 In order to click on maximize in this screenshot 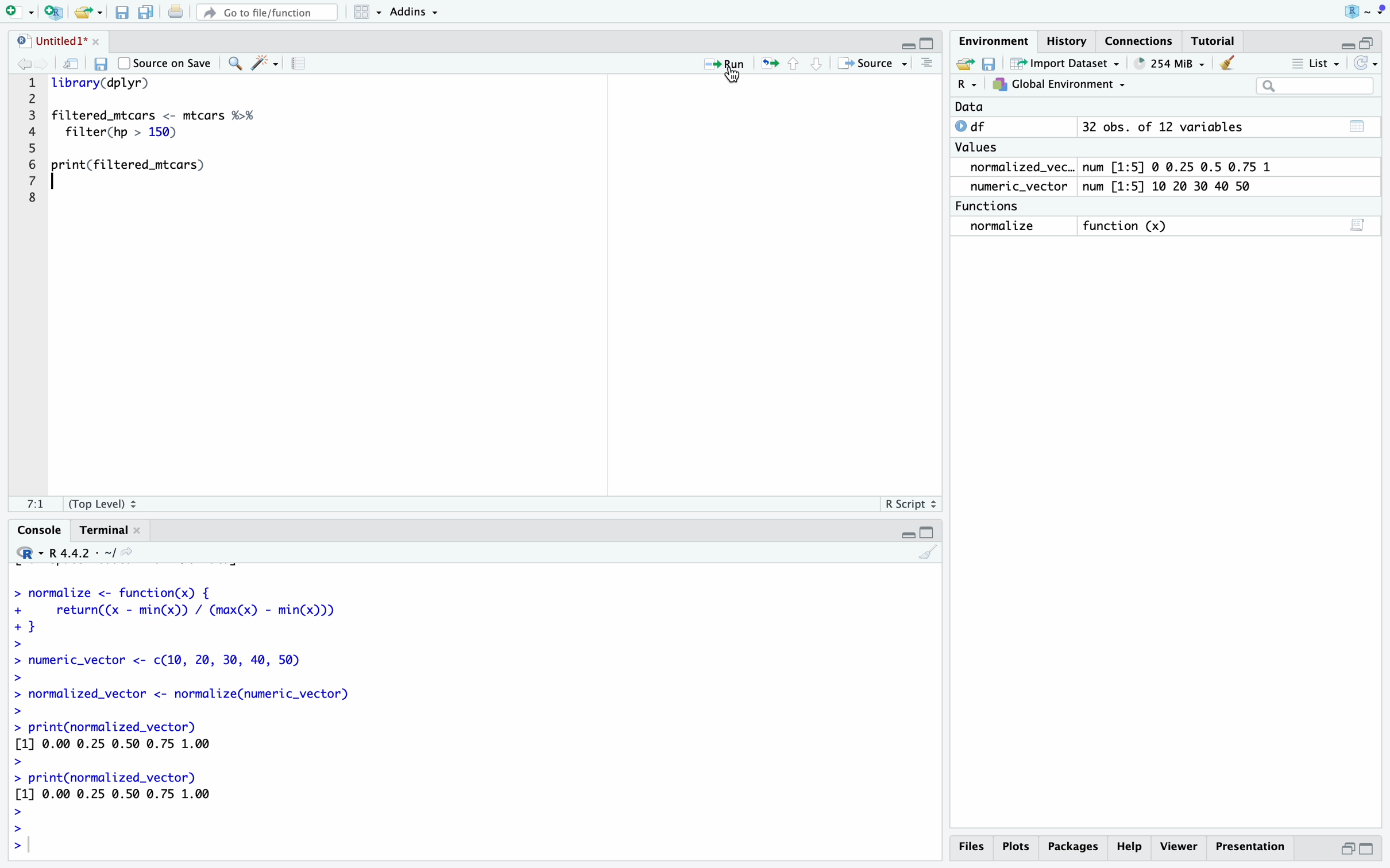, I will do `click(1368, 849)`.